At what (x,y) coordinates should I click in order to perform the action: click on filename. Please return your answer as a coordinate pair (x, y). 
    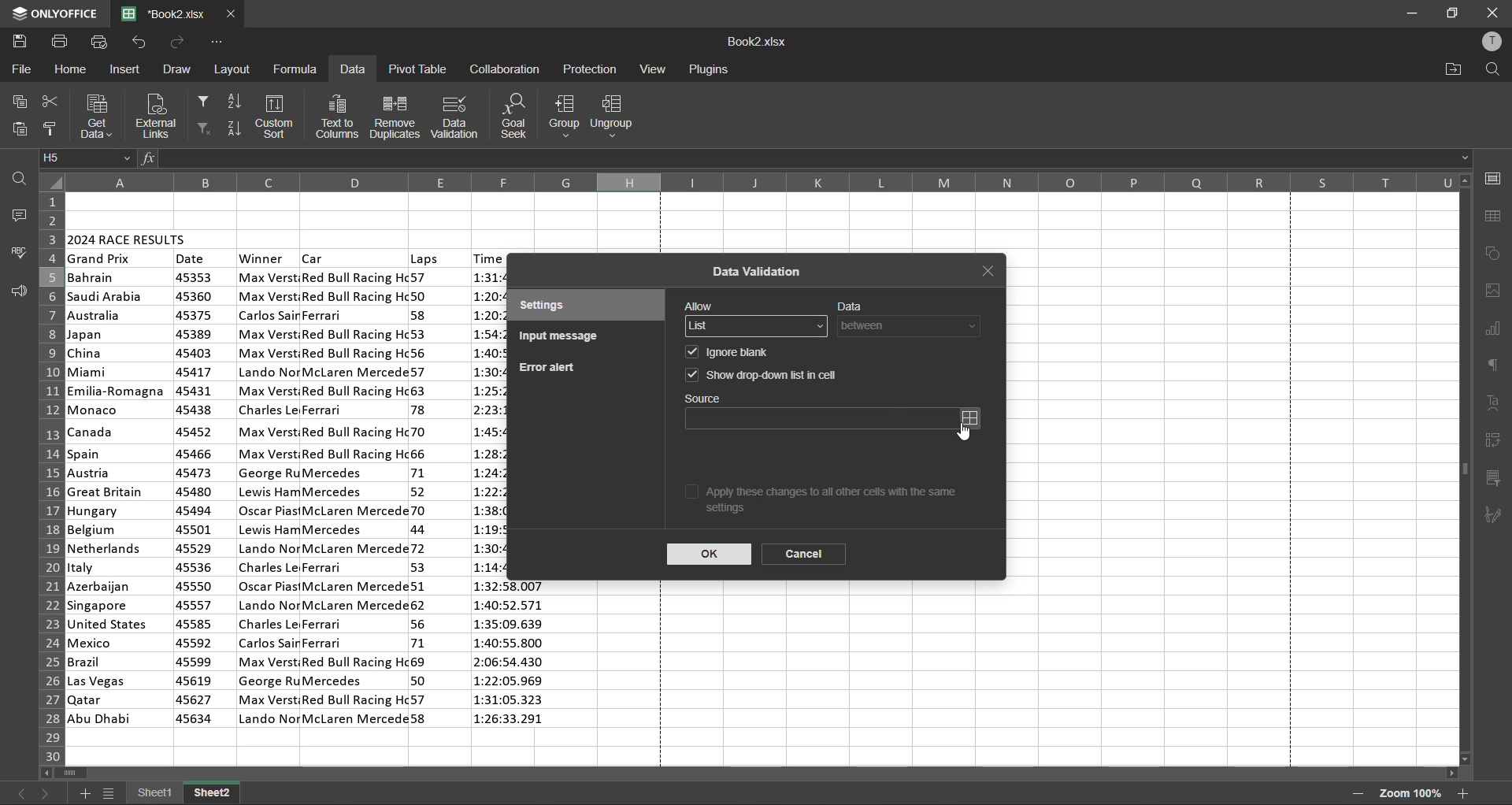
    Looking at the image, I should click on (169, 13).